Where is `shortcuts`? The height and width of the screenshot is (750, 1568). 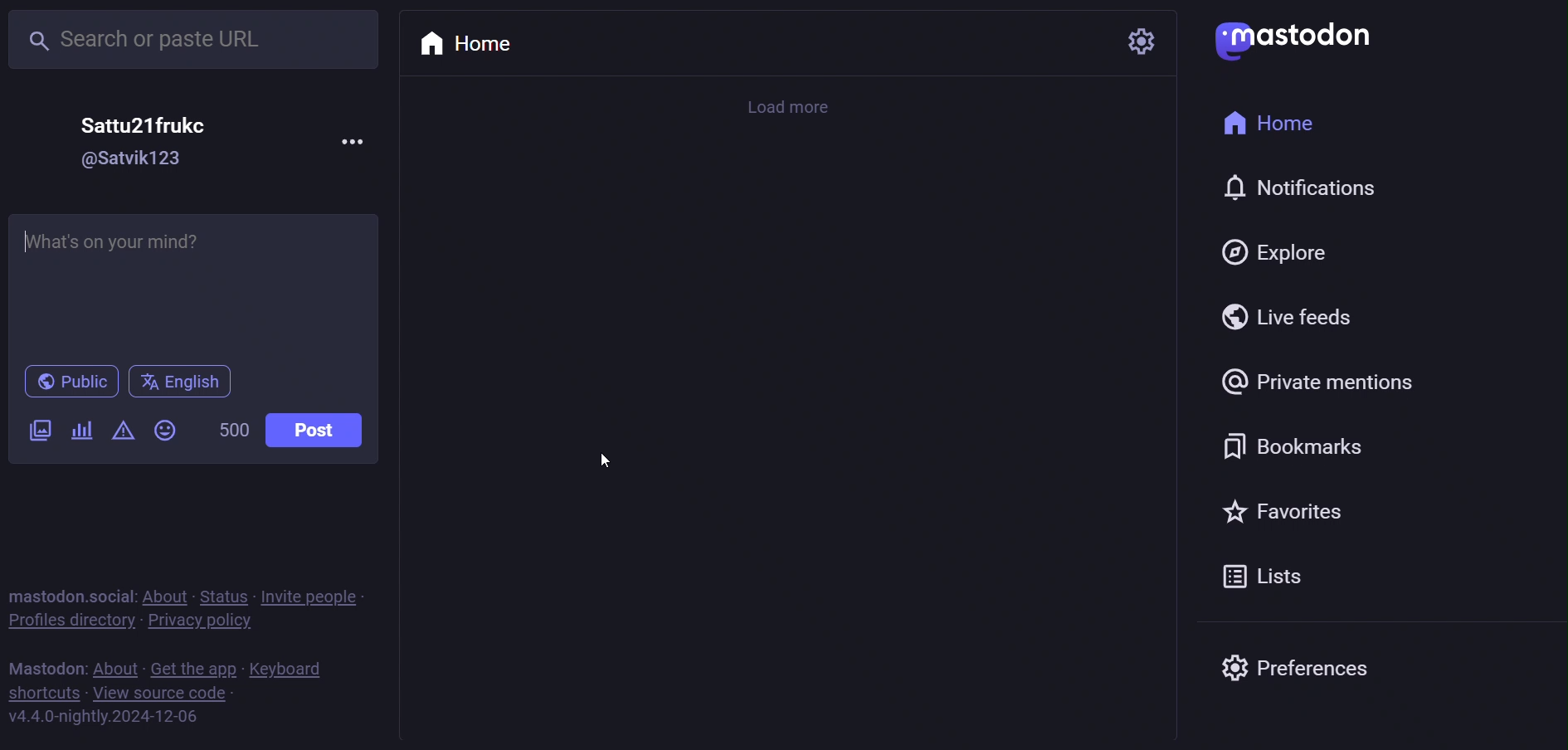
shortcuts is located at coordinates (41, 693).